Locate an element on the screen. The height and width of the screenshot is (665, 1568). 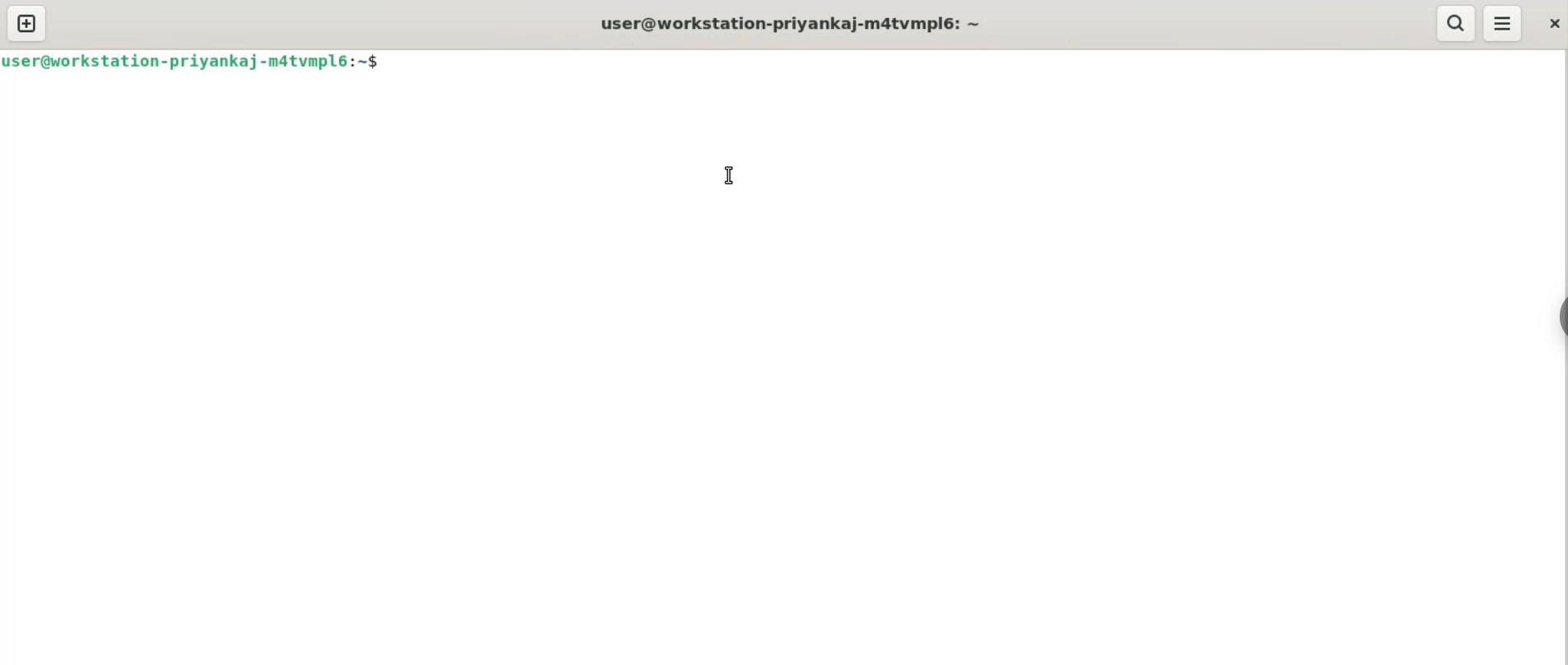
close is located at coordinates (1552, 22).